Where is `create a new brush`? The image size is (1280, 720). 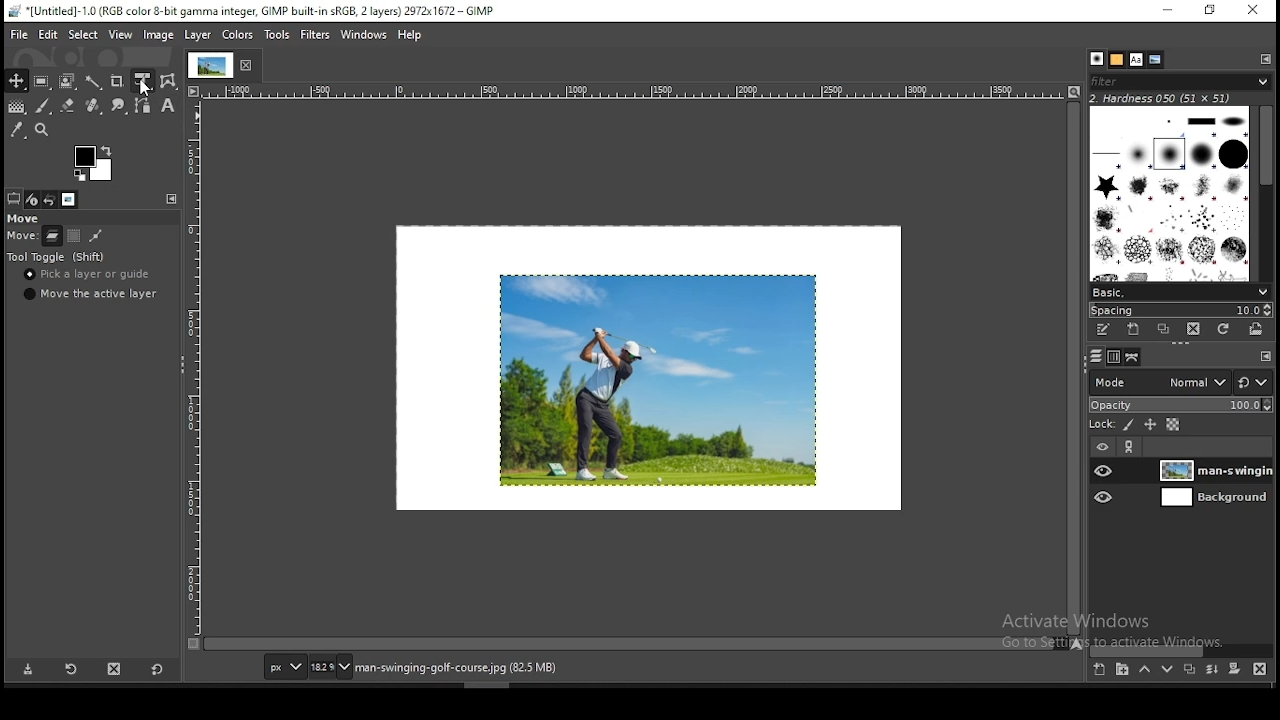 create a new brush is located at coordinates (1132, 330).